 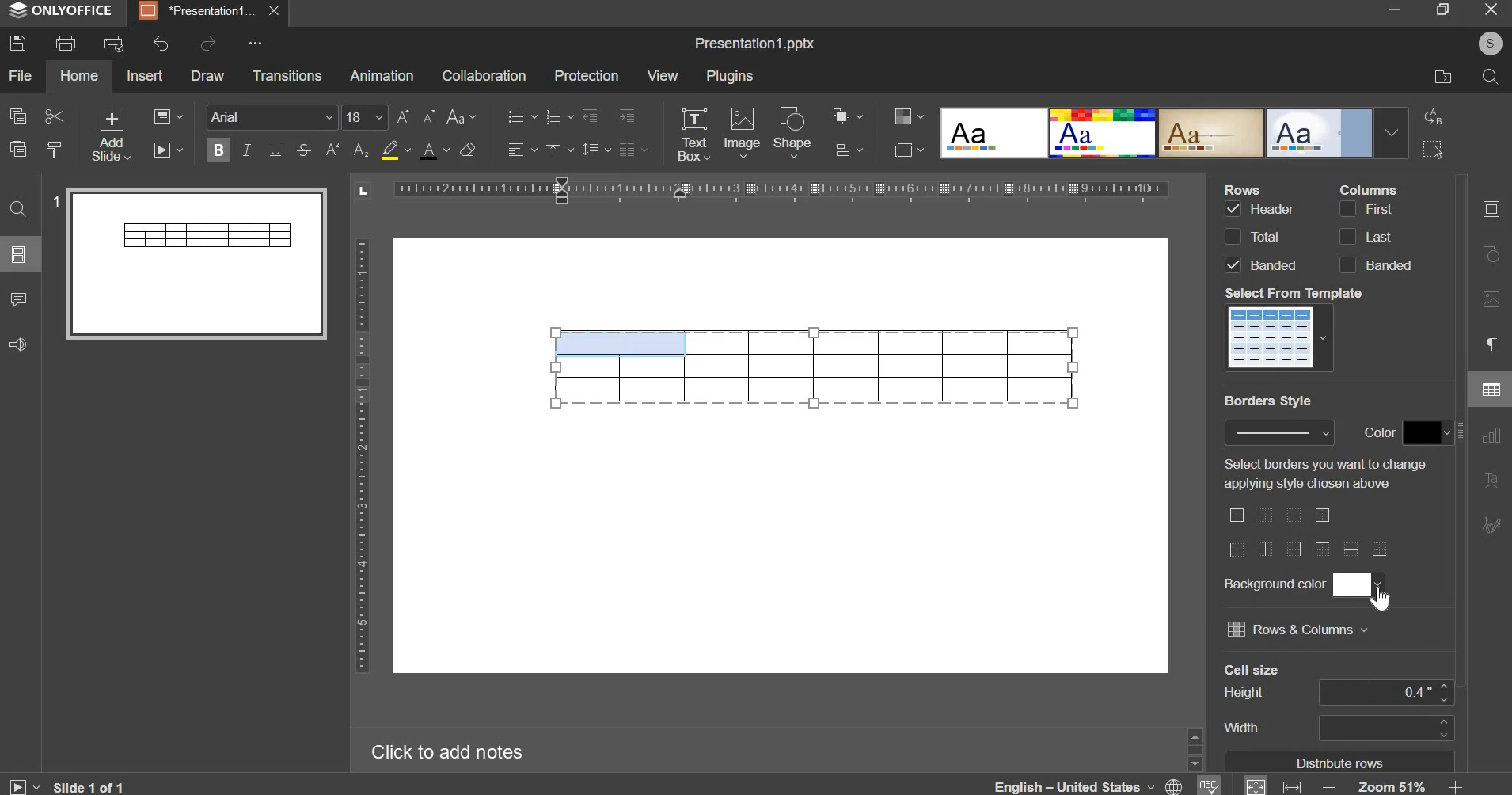 I want to click on columns, so click(x=1373, y=236).